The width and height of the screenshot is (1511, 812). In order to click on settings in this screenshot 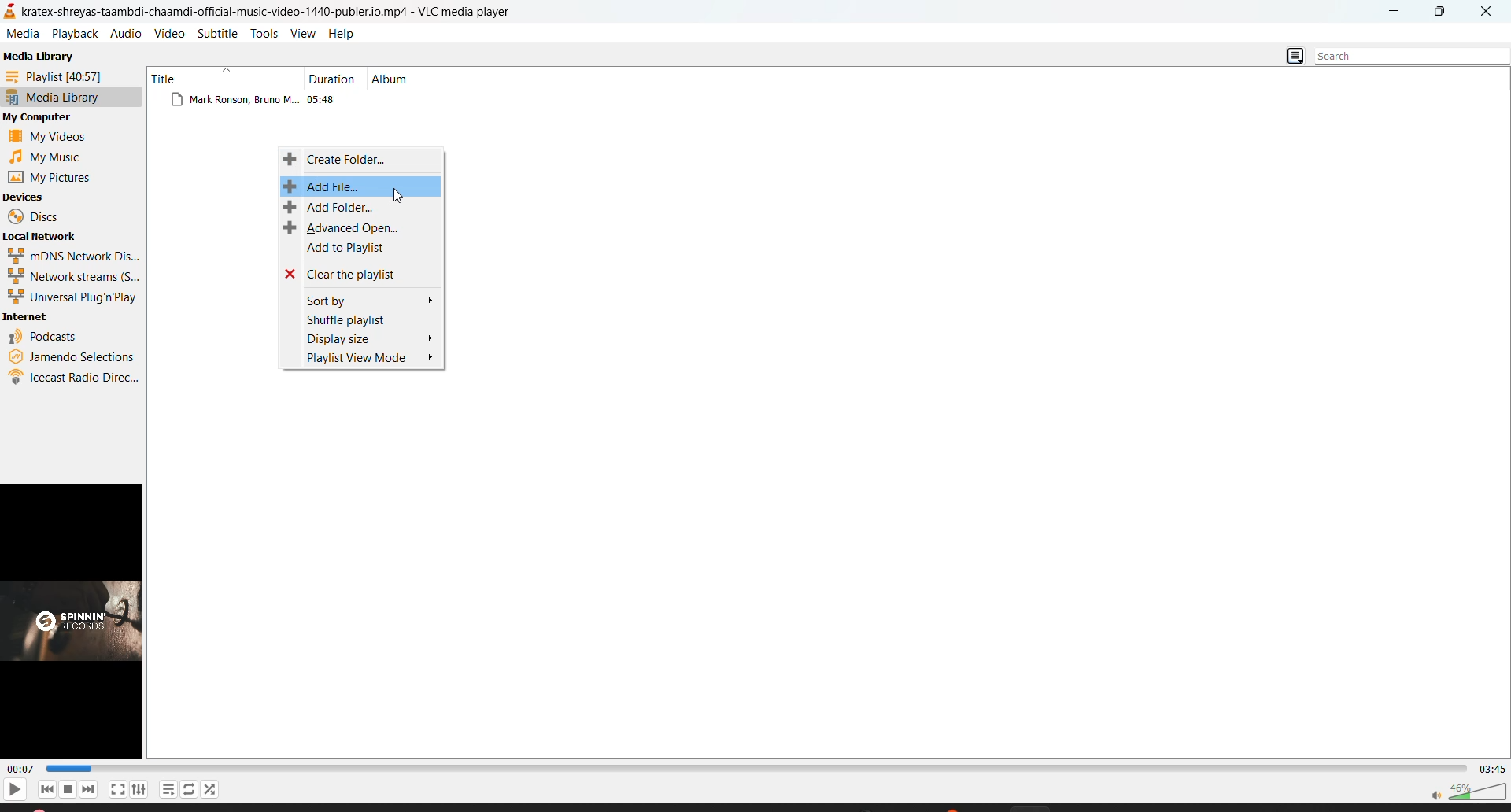, I will do `click(138, 789)`.